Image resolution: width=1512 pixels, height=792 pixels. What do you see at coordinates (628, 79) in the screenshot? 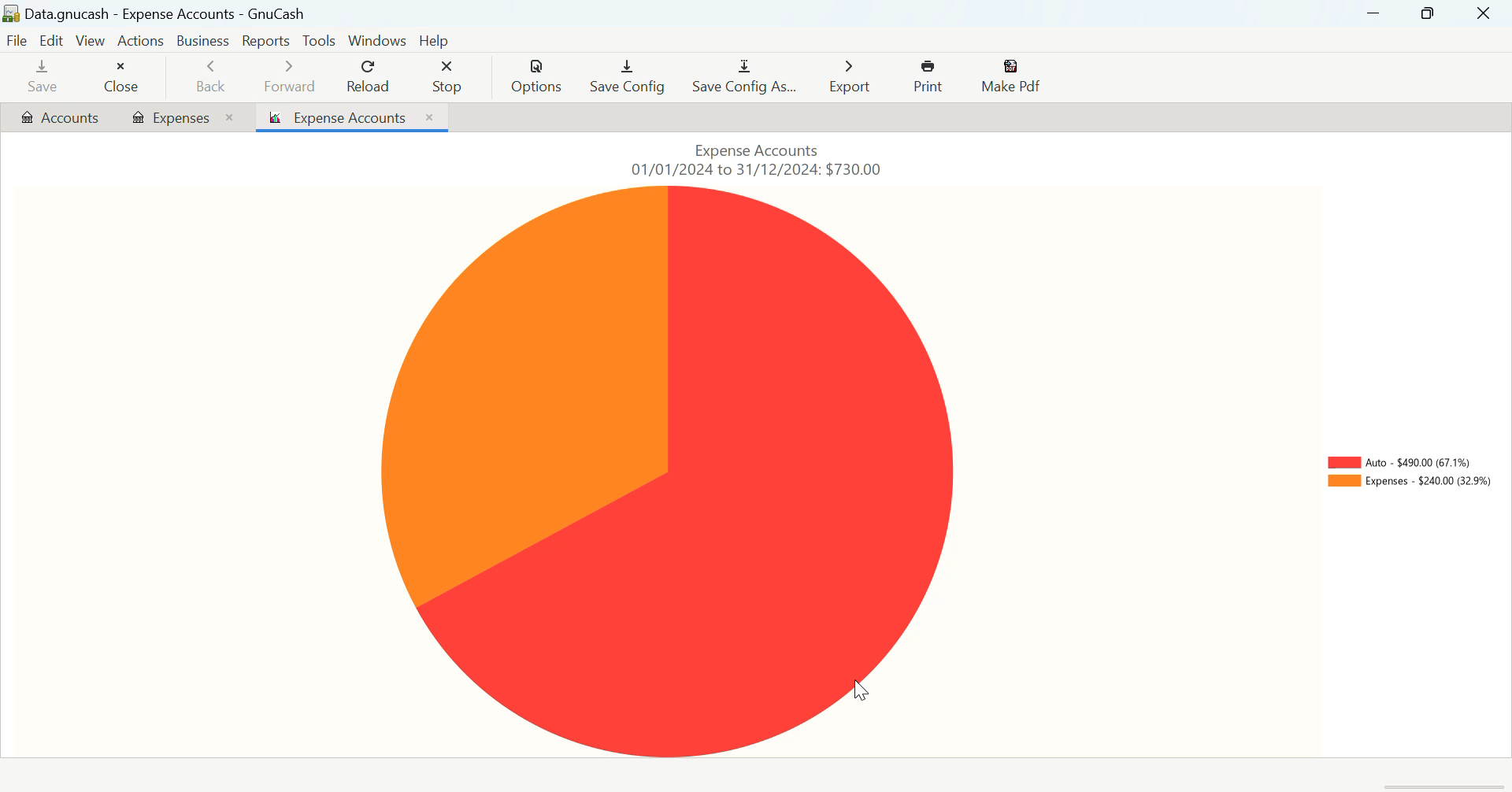
I see `Save Config` at bounding box center [628, 79].